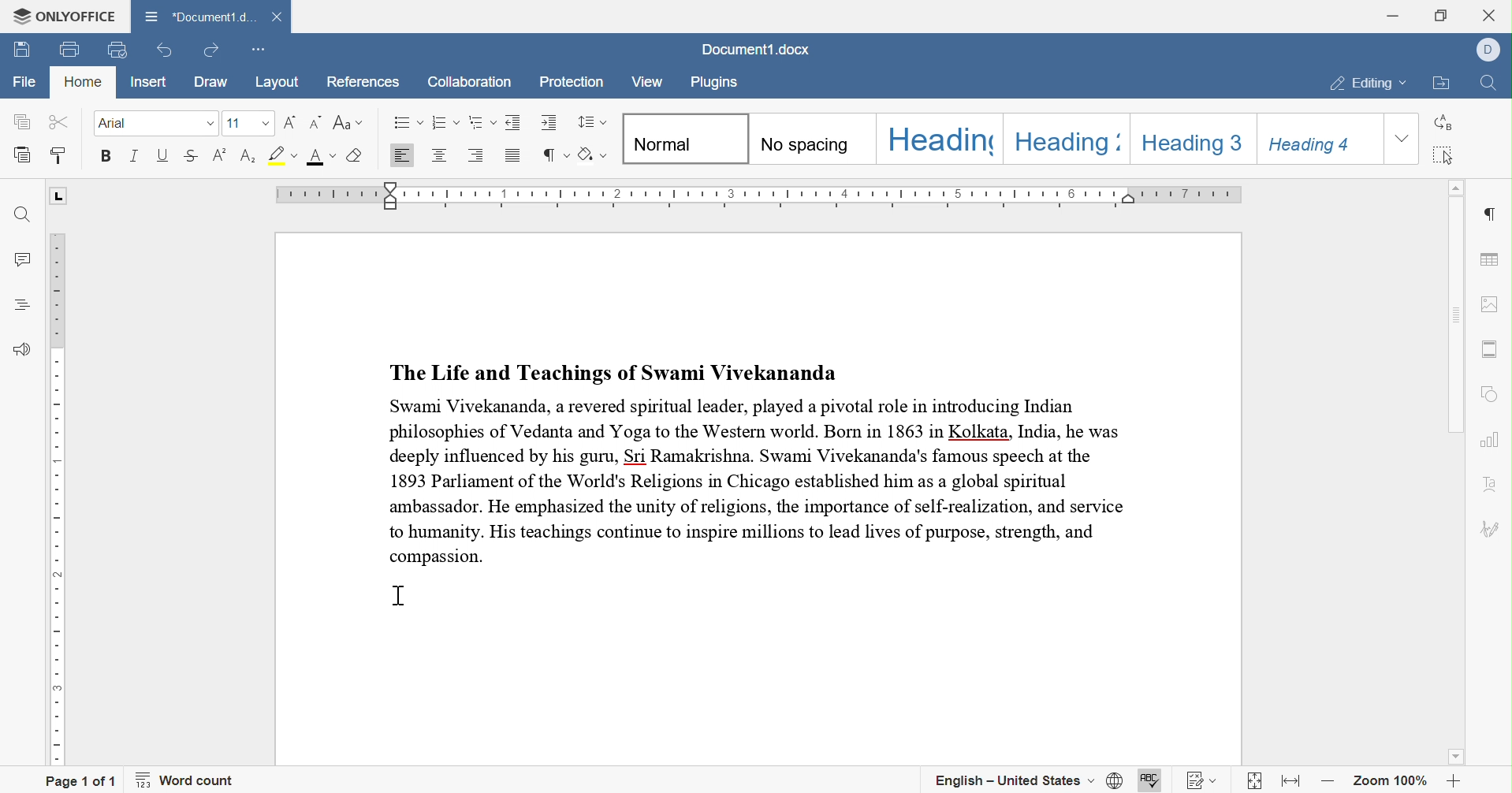 The height and width of the screenshot is (793, 1512). Describe the element at coordinates (1391, 784) in the screenshot. I see `zoom 100%` at that location.